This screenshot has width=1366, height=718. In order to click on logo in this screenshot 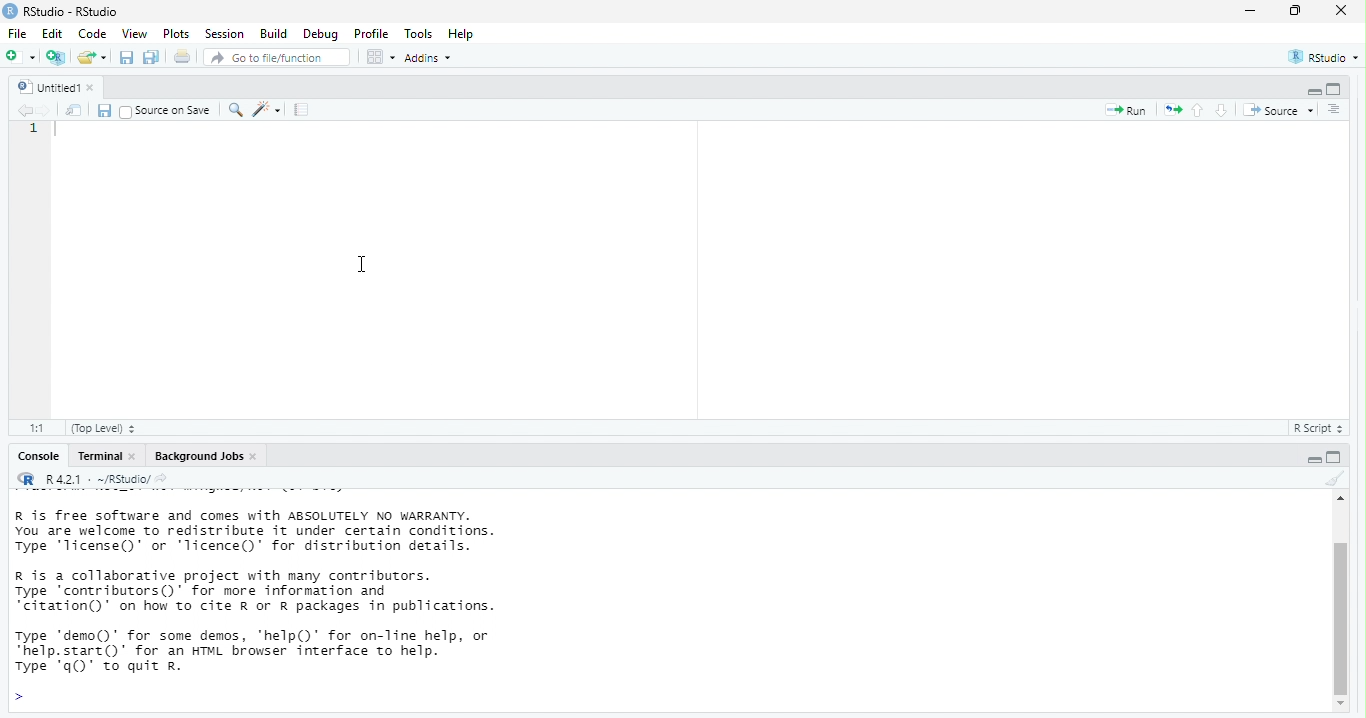, I will do `click(11, 13)`.